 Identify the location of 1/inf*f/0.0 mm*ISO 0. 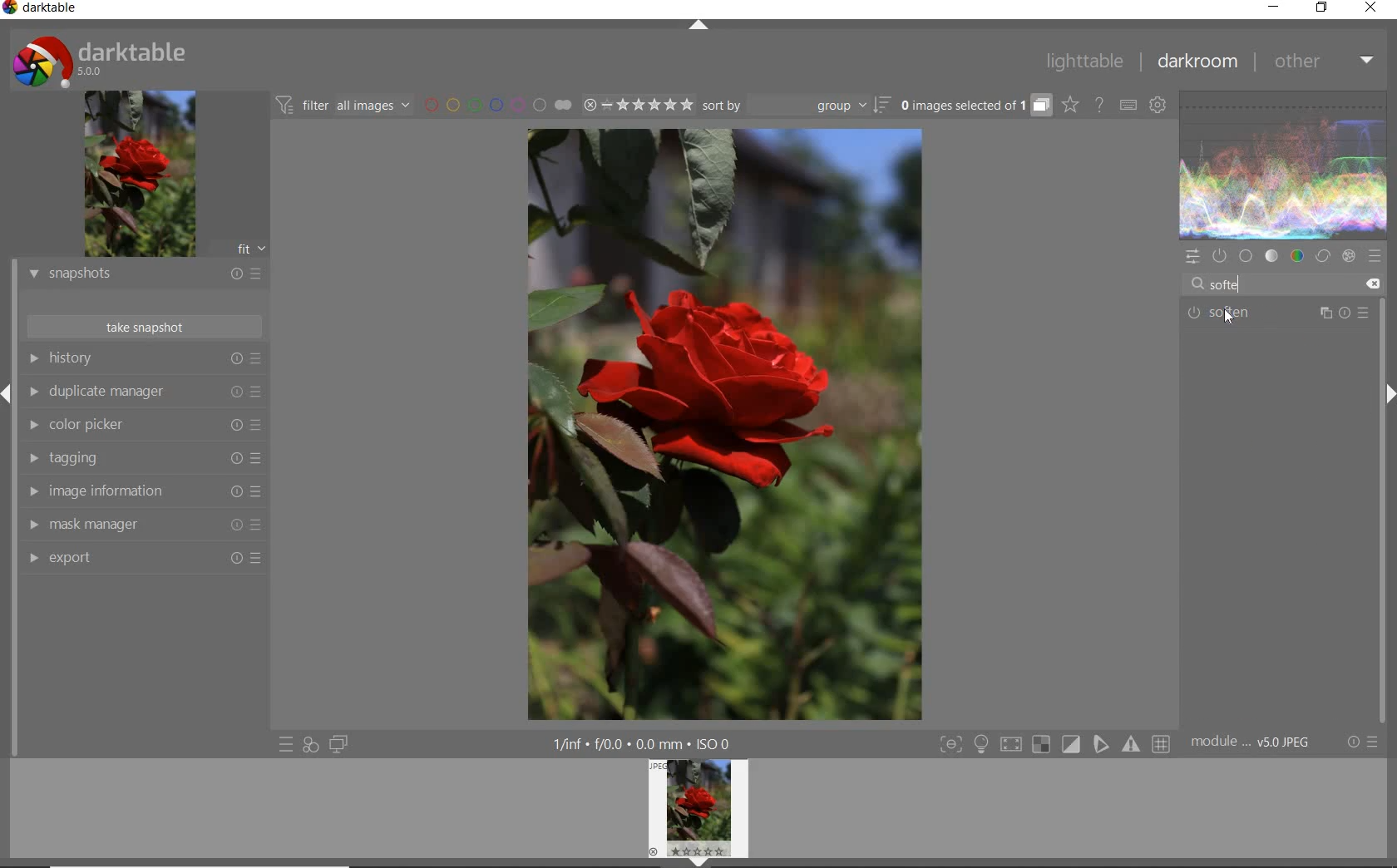
(648, 743).